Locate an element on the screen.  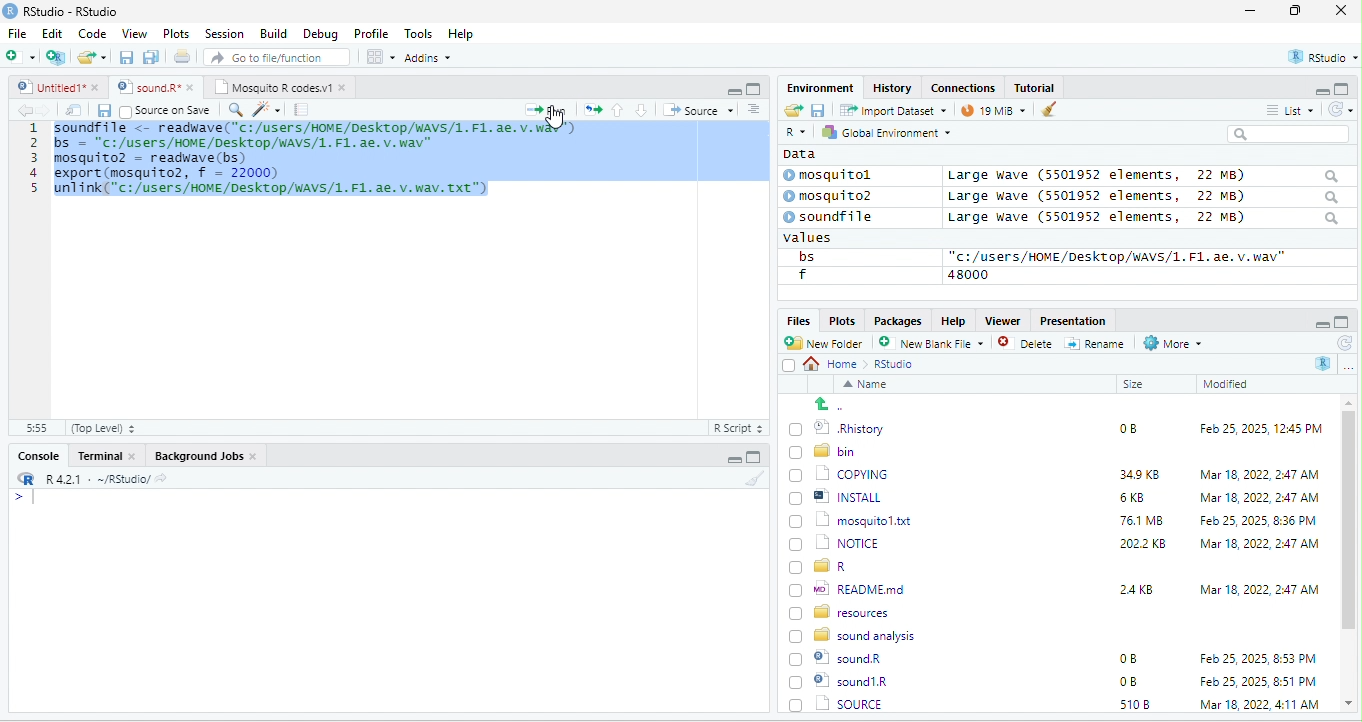
source on Save is located at coordinates (167, 112).